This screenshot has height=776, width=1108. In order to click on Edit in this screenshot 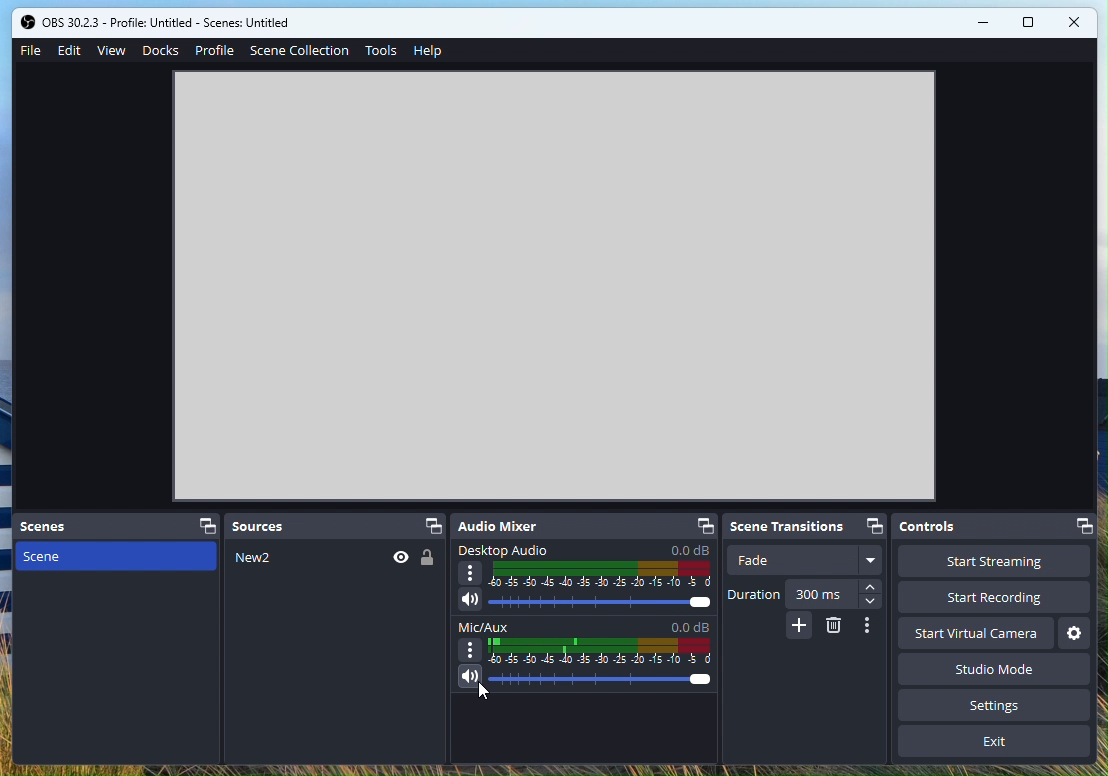, I will do `click(71, 51)`.